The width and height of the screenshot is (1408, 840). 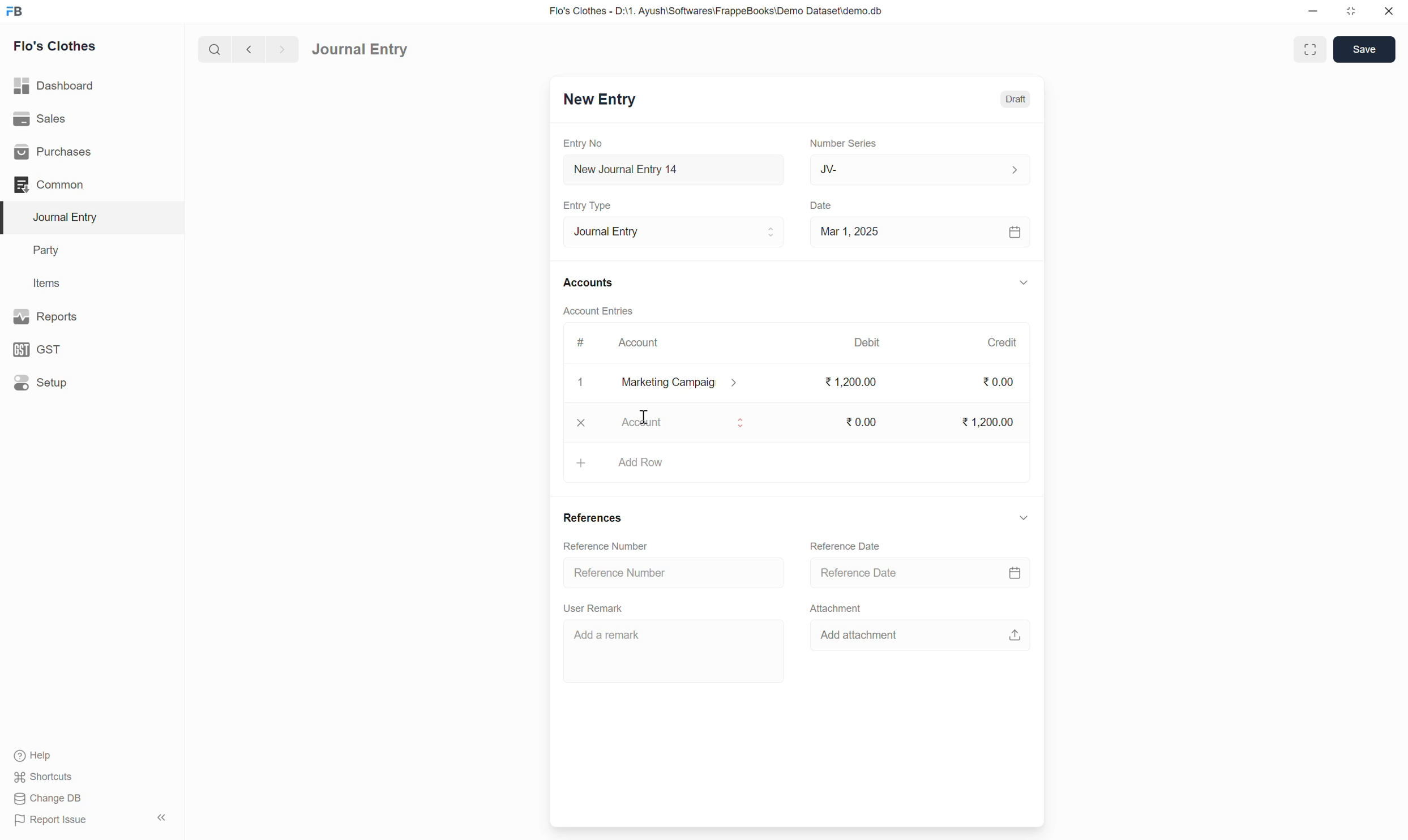 I want to click on References, so click(x=602, y=521).